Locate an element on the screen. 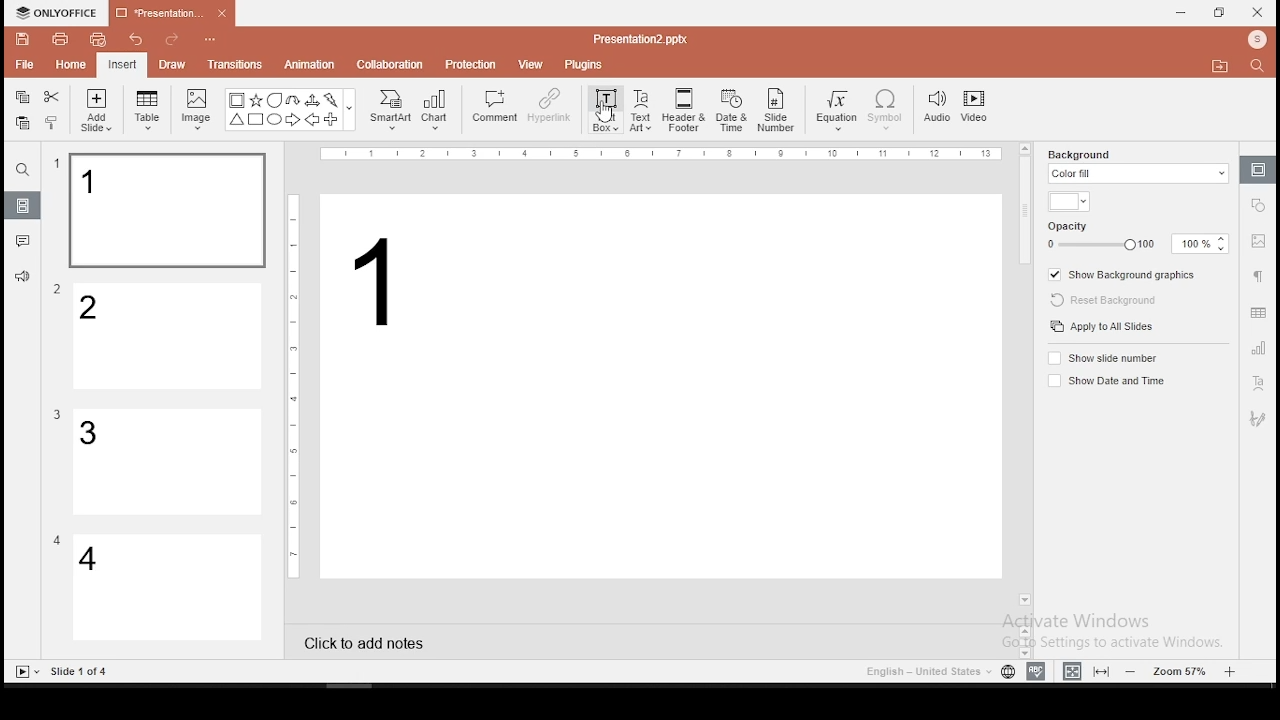  equation is located at coordinates (835, 111).